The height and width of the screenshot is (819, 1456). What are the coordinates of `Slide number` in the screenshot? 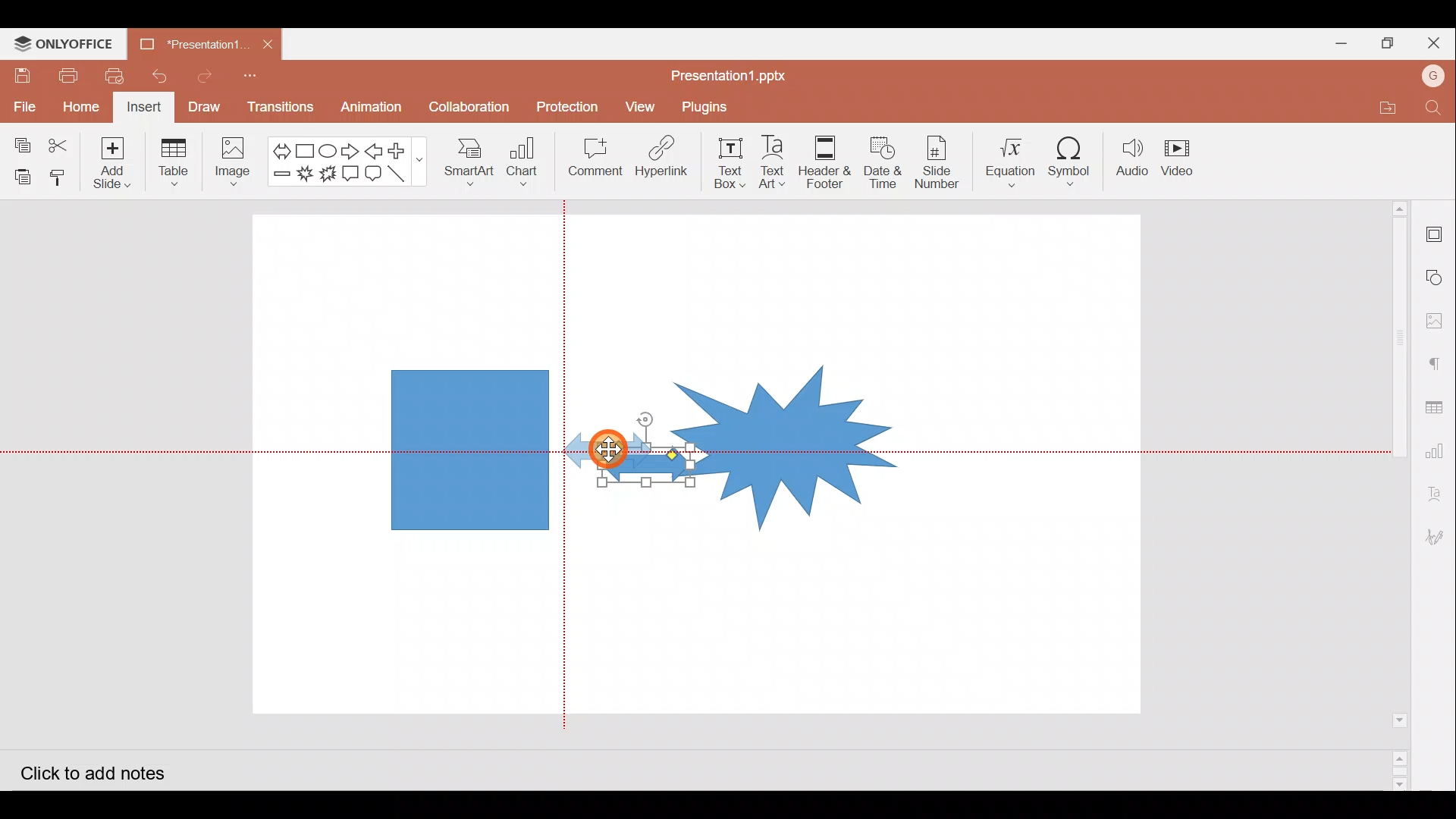 It's located at (938, 160).